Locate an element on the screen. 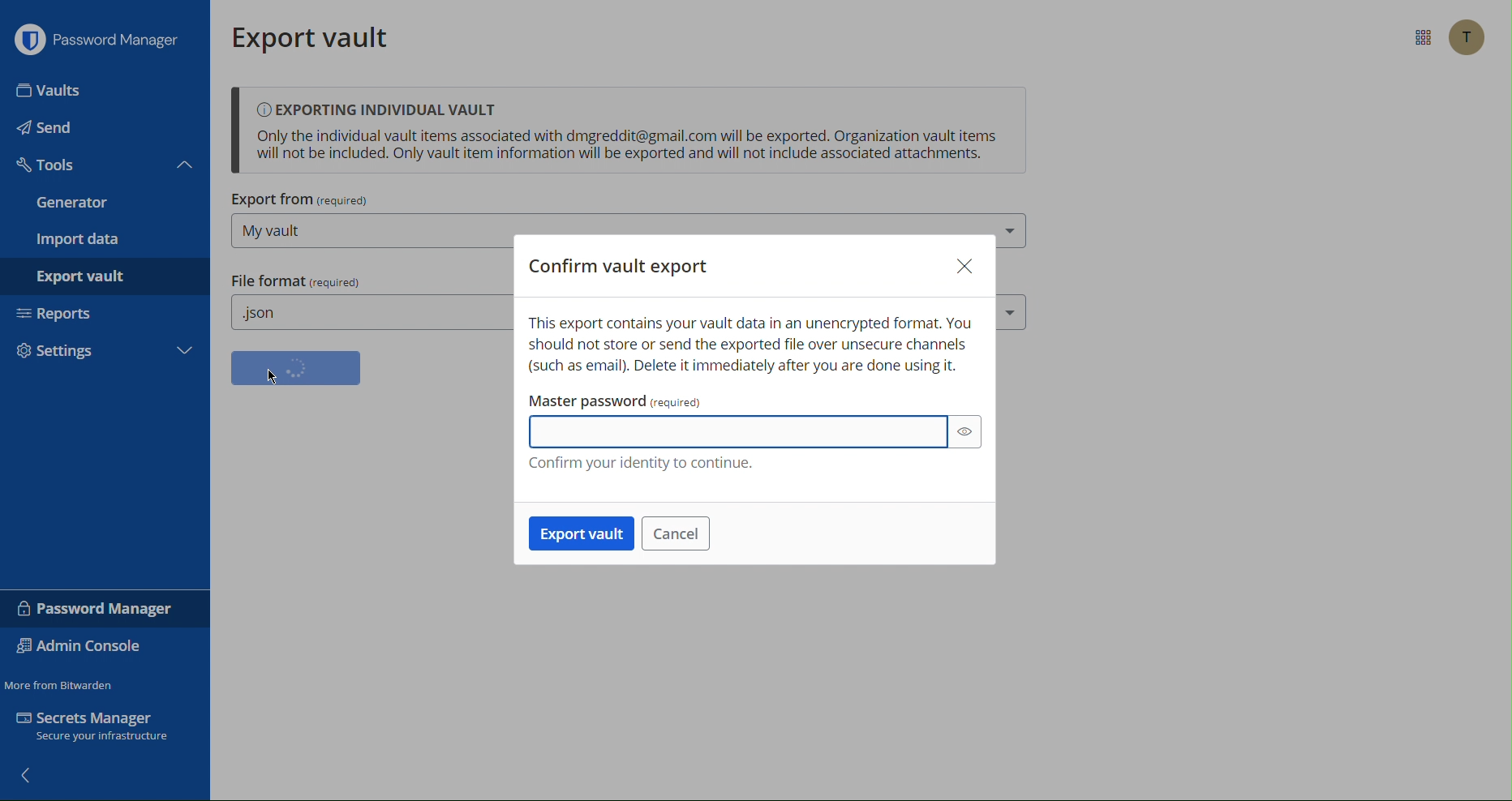 Image resolution: width=1512 pixels, height=801 pixels. Close is located at coordinates (964, 265).